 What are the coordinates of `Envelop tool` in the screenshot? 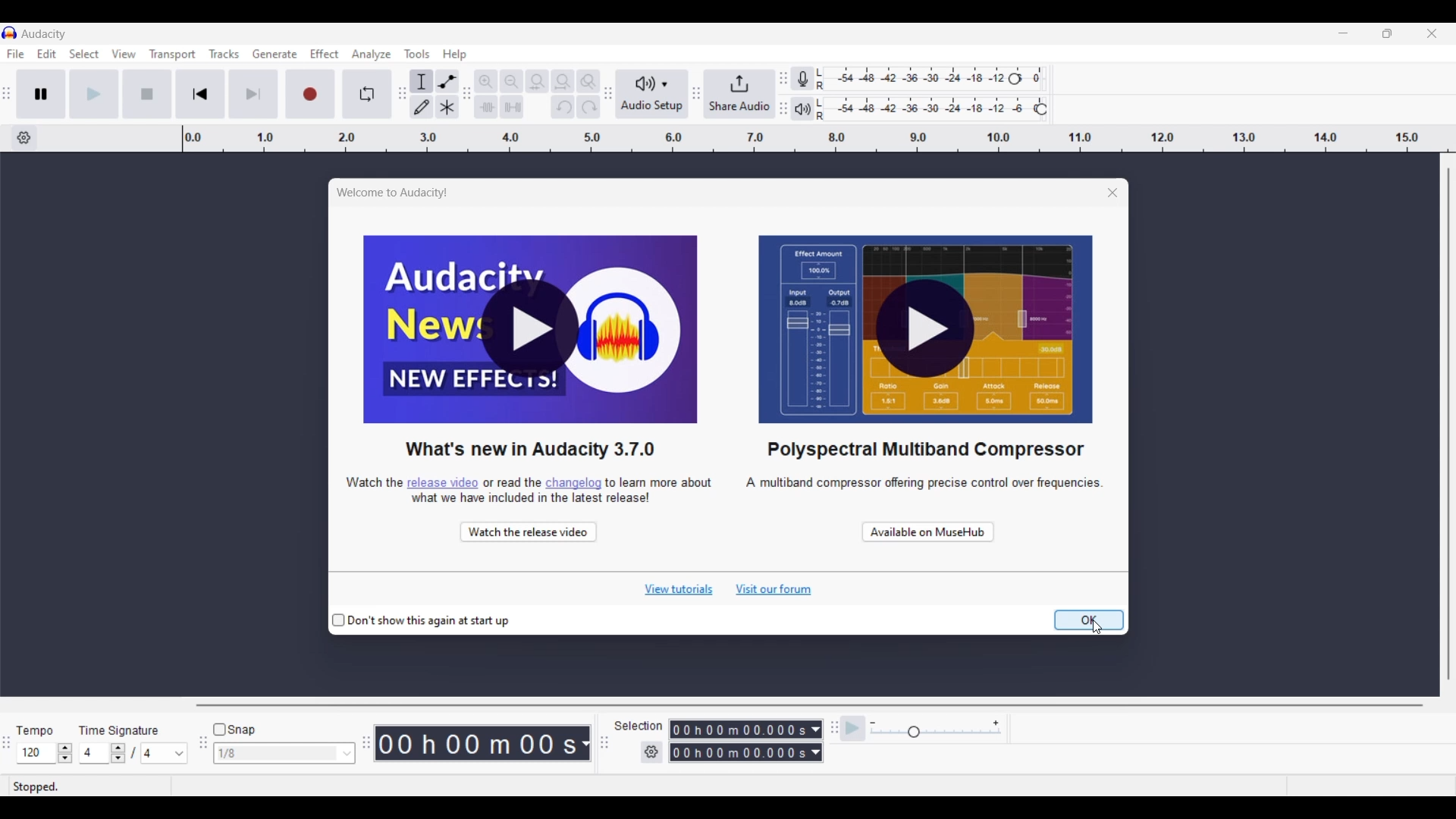 It's located at (447, 81).